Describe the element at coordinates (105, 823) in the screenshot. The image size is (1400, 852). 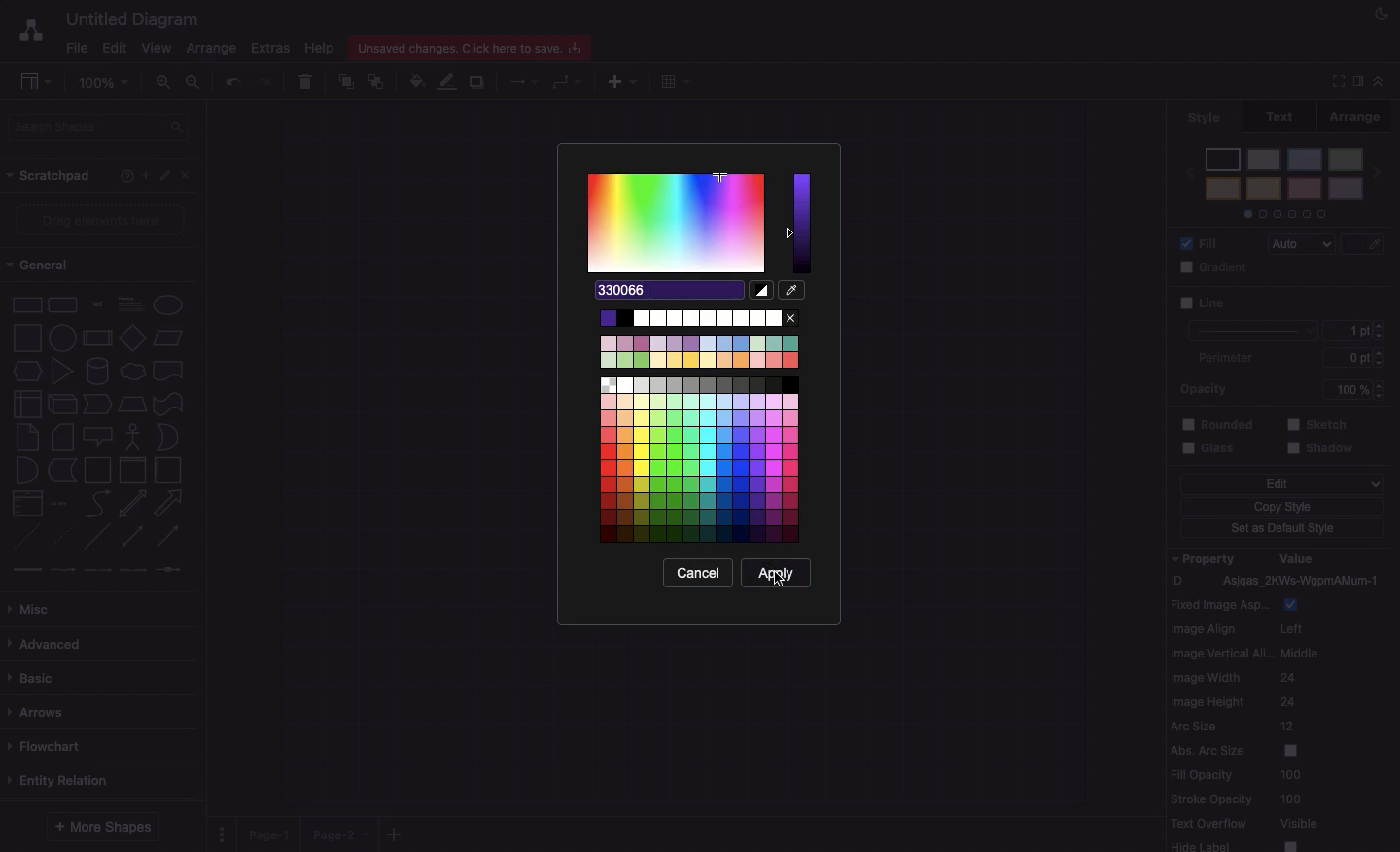
I see `More shapes` at that location.